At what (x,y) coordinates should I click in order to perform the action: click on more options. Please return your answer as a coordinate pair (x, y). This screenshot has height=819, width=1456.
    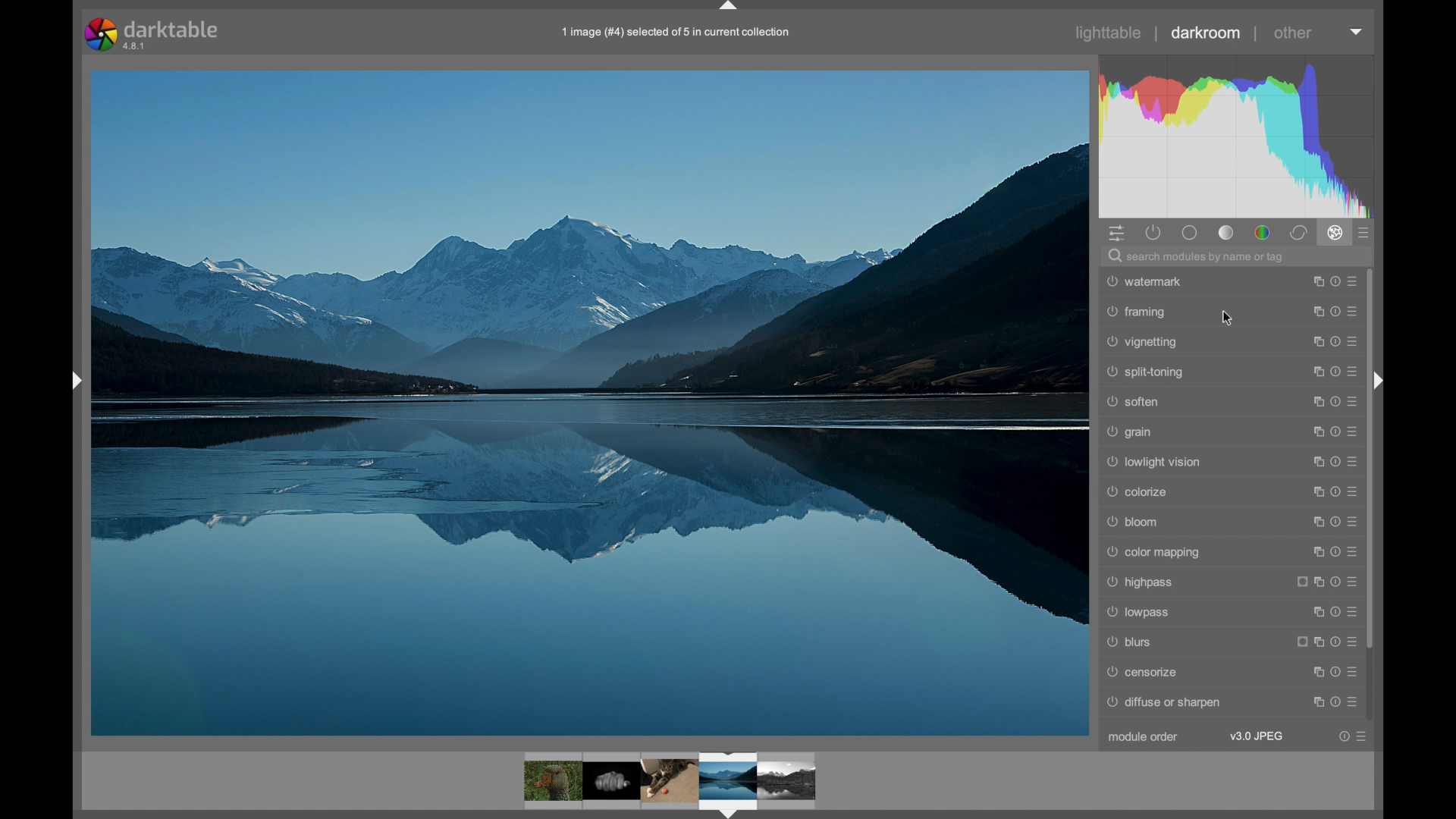
    Looking at the image, I should click on (1336, 612).